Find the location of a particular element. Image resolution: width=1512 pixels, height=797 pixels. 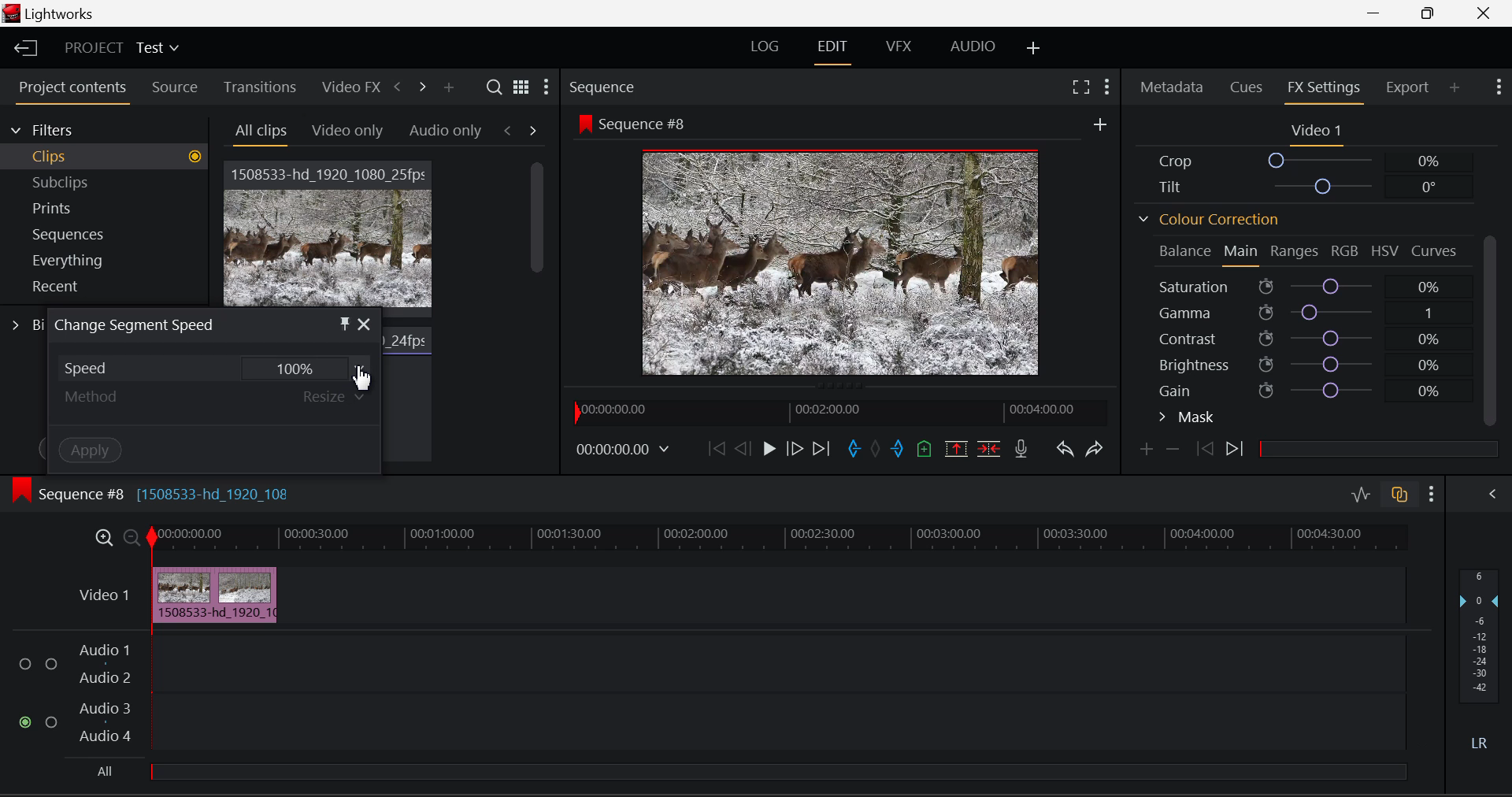

Audio Level Editing is located at coordinates (1361, 494).